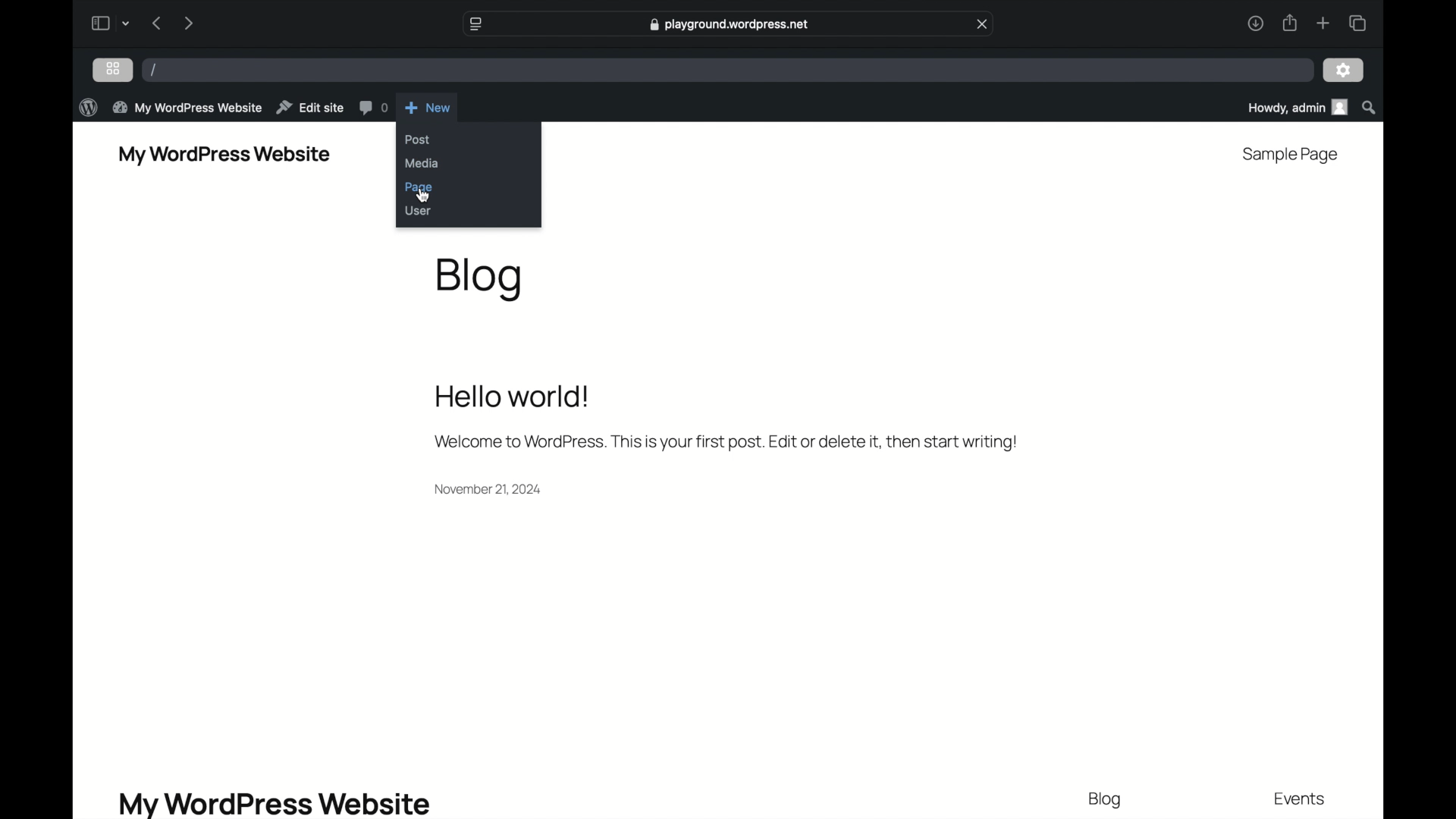 The width and height of the screenshot is (1456, 819). I want to click on edit site, so click(310, 107).